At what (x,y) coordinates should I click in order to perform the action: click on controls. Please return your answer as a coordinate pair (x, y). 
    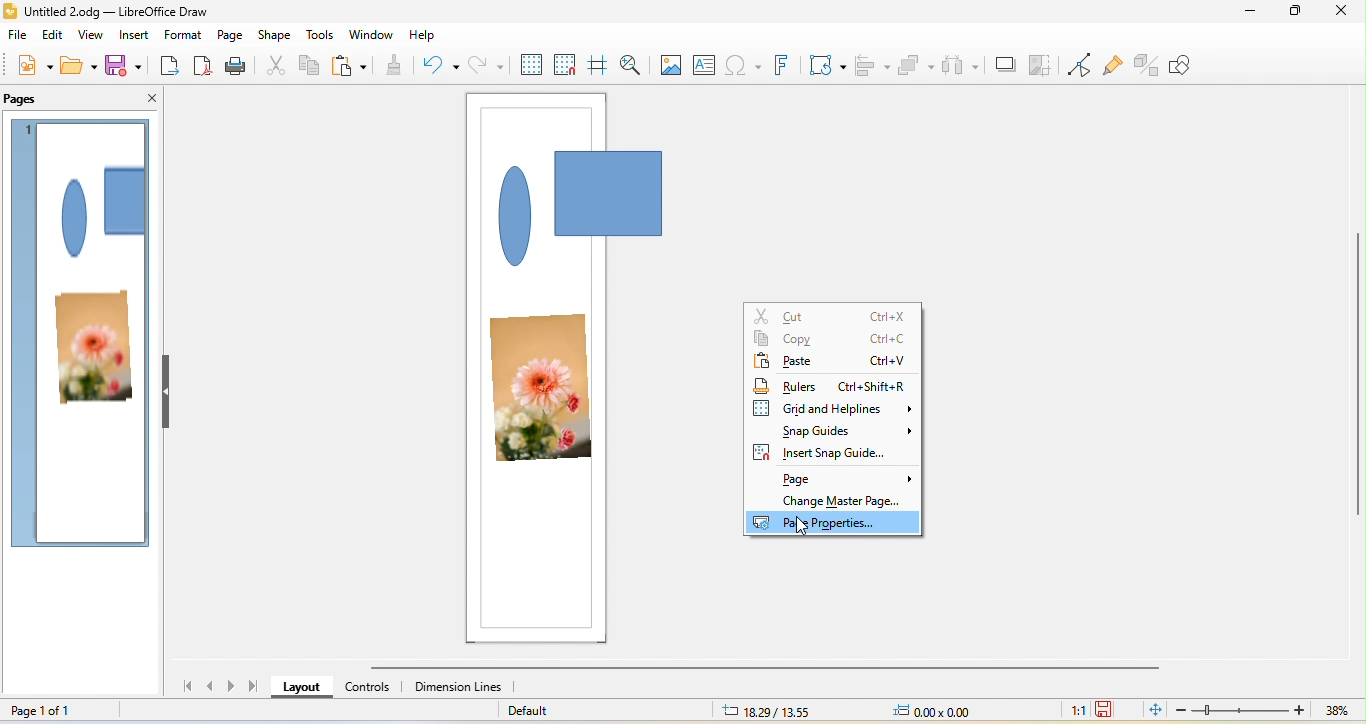
    Looking at the image, I should click on (363, 692).